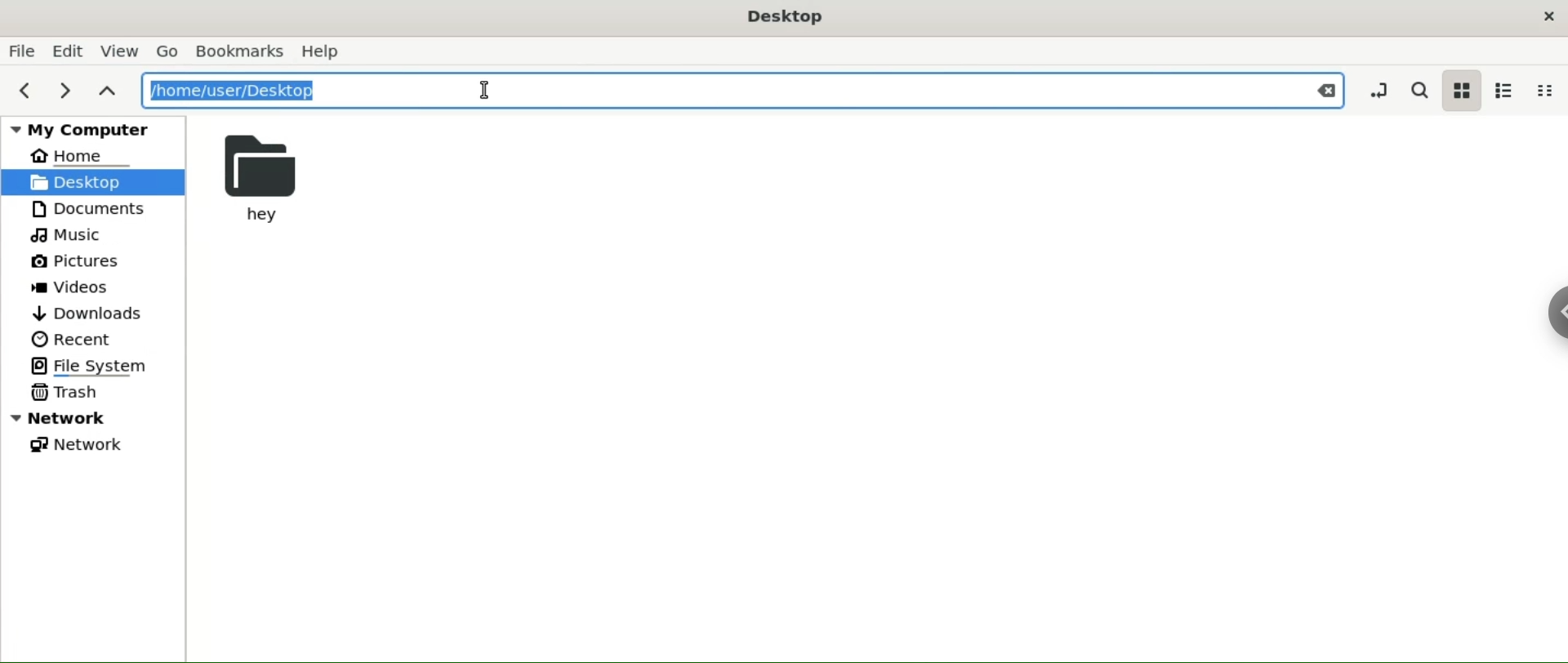  What do you see at coordinates (786, 19) in the screenshot?
I see `Desktop` at bounding box center [786, 19].